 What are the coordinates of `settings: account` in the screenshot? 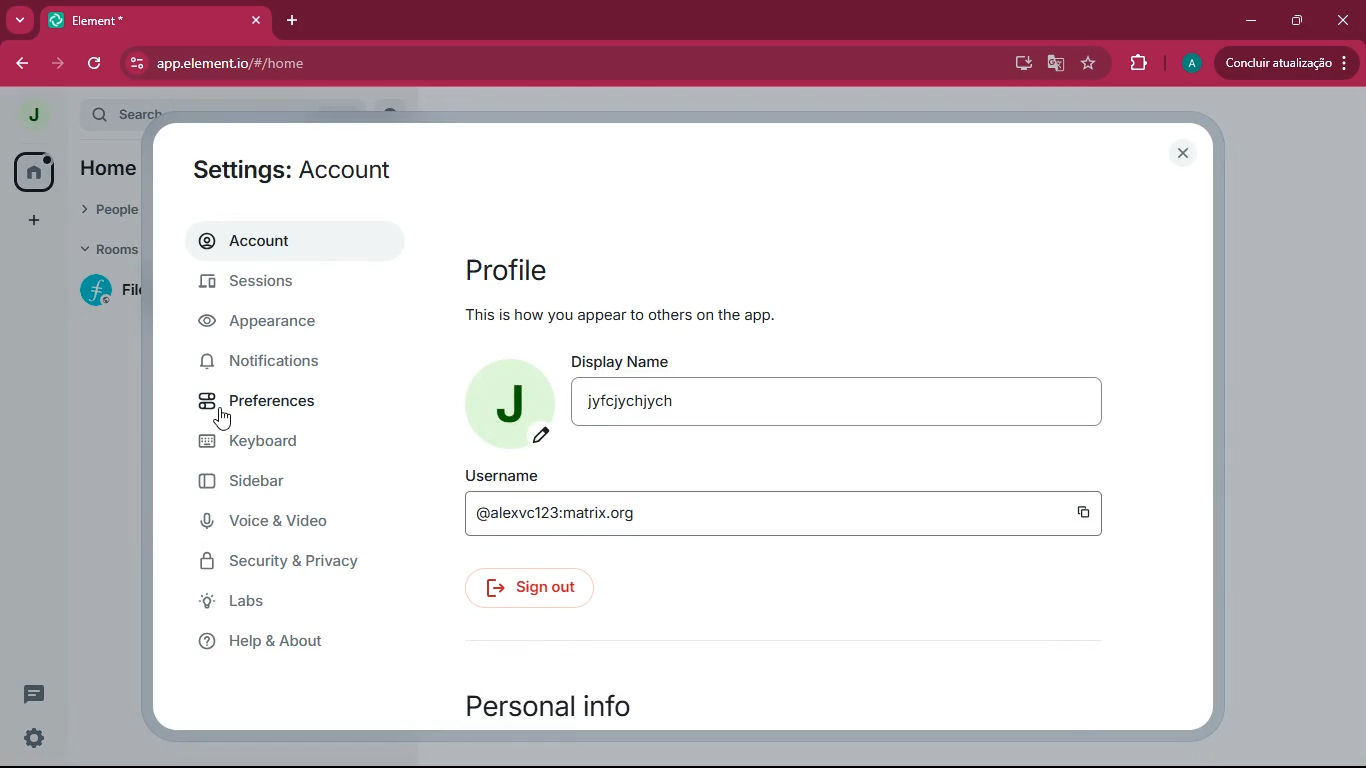 It's located at (304, 166).